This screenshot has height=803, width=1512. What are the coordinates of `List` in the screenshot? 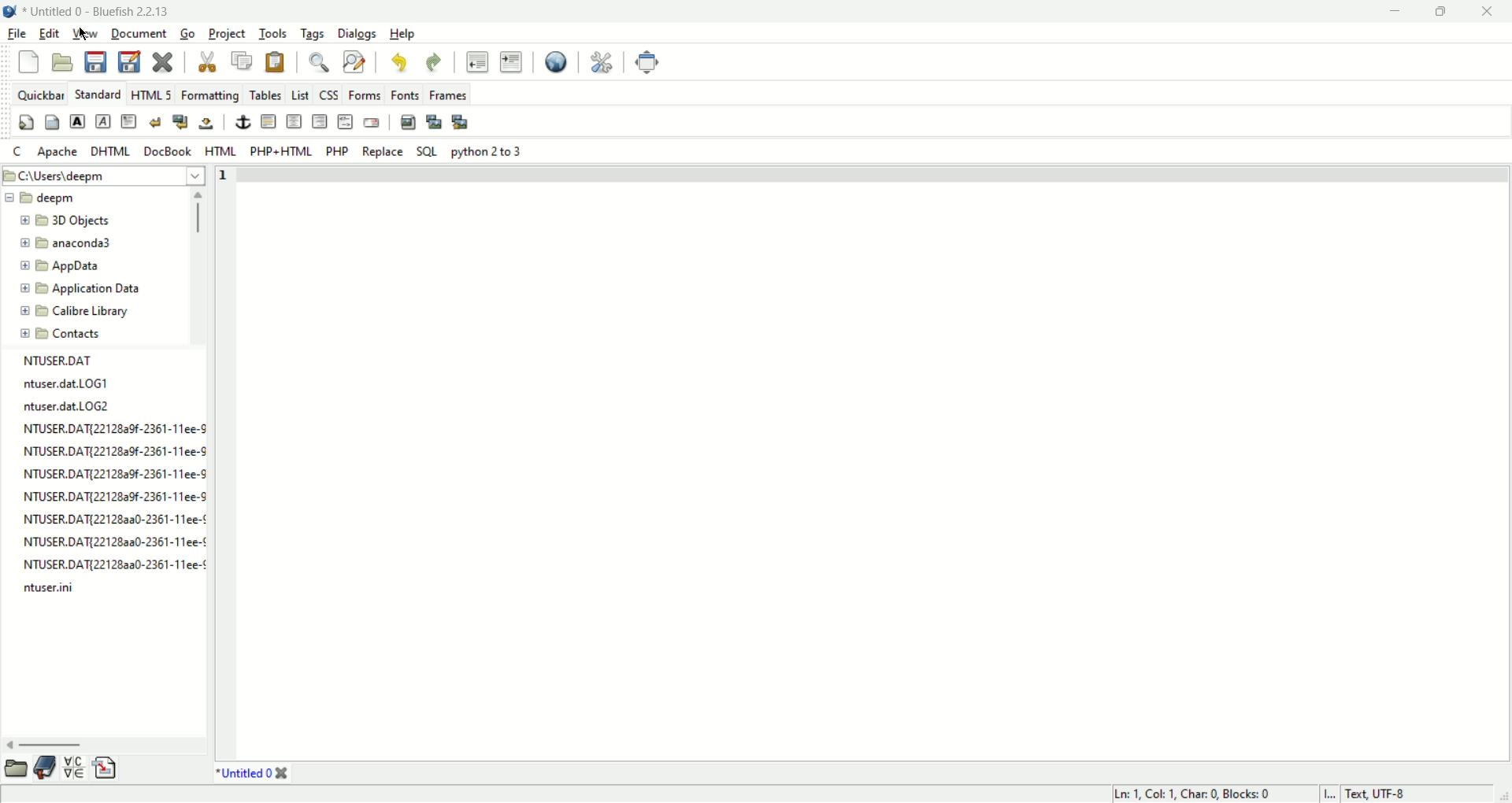 It's located at (302, 94).